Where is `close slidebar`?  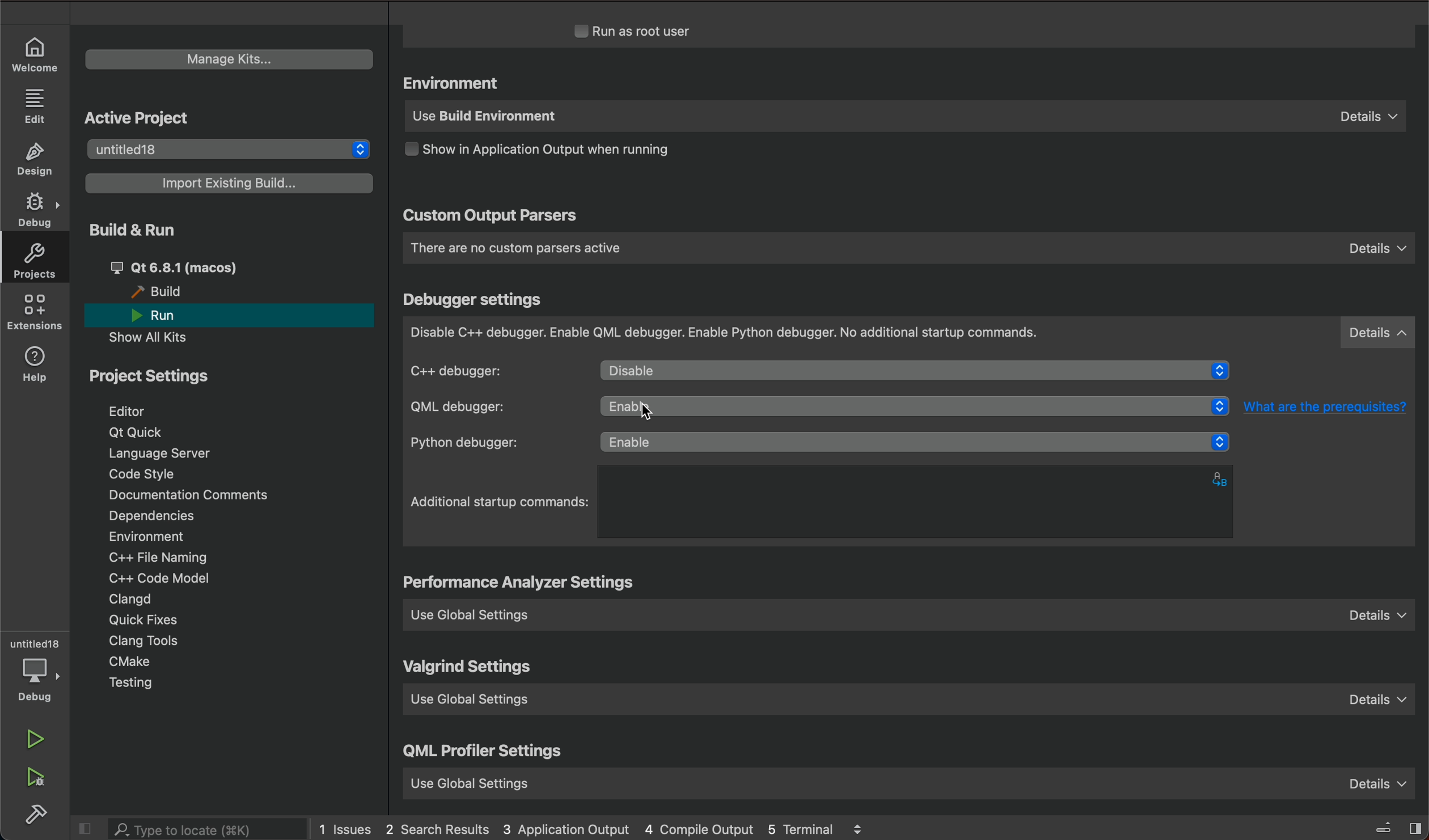 close slidebar is located at coordinates (1384, 826).